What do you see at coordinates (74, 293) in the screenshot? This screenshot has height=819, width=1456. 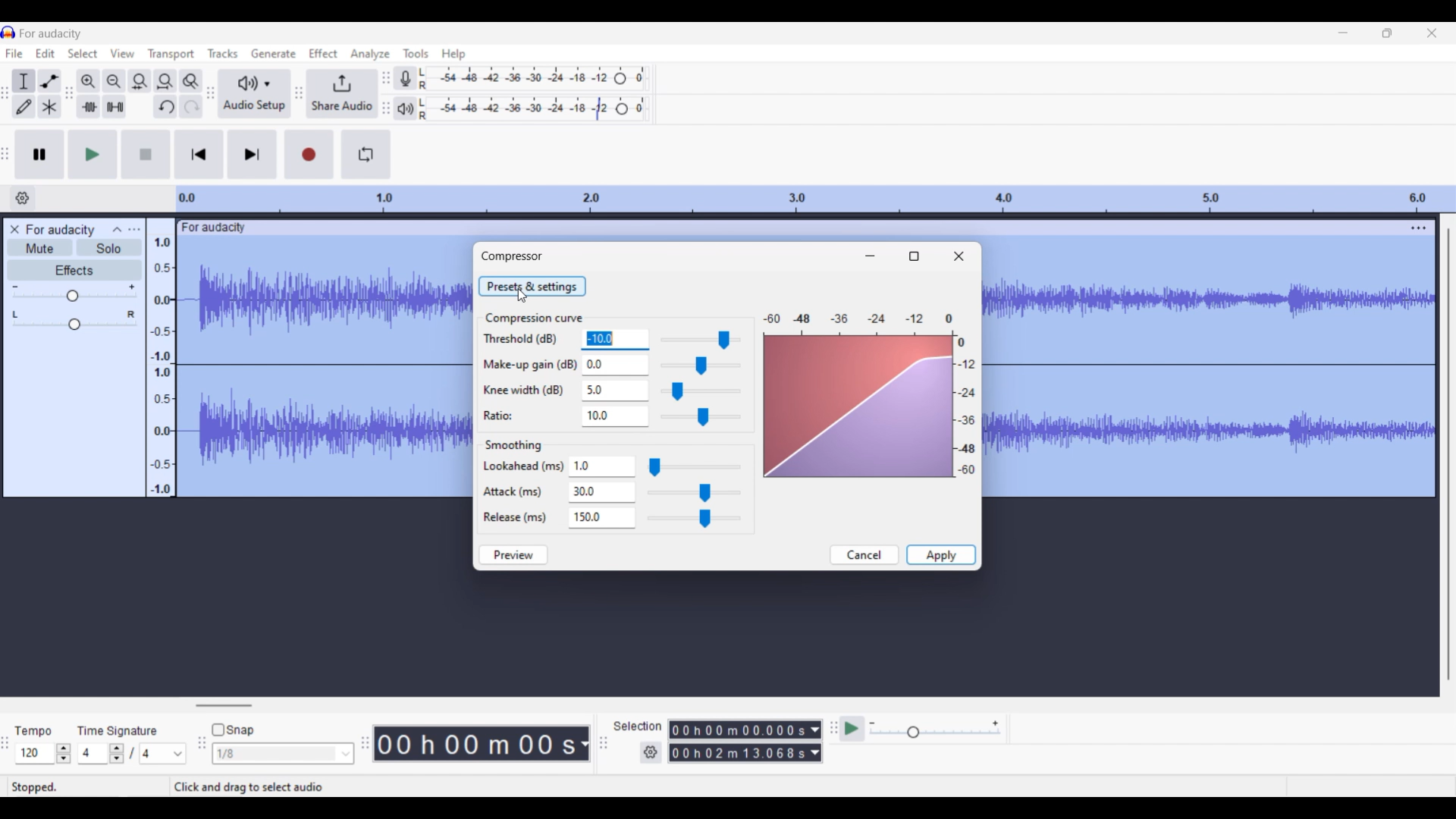 I see `Volume slide` at bounding box center [74, 293].